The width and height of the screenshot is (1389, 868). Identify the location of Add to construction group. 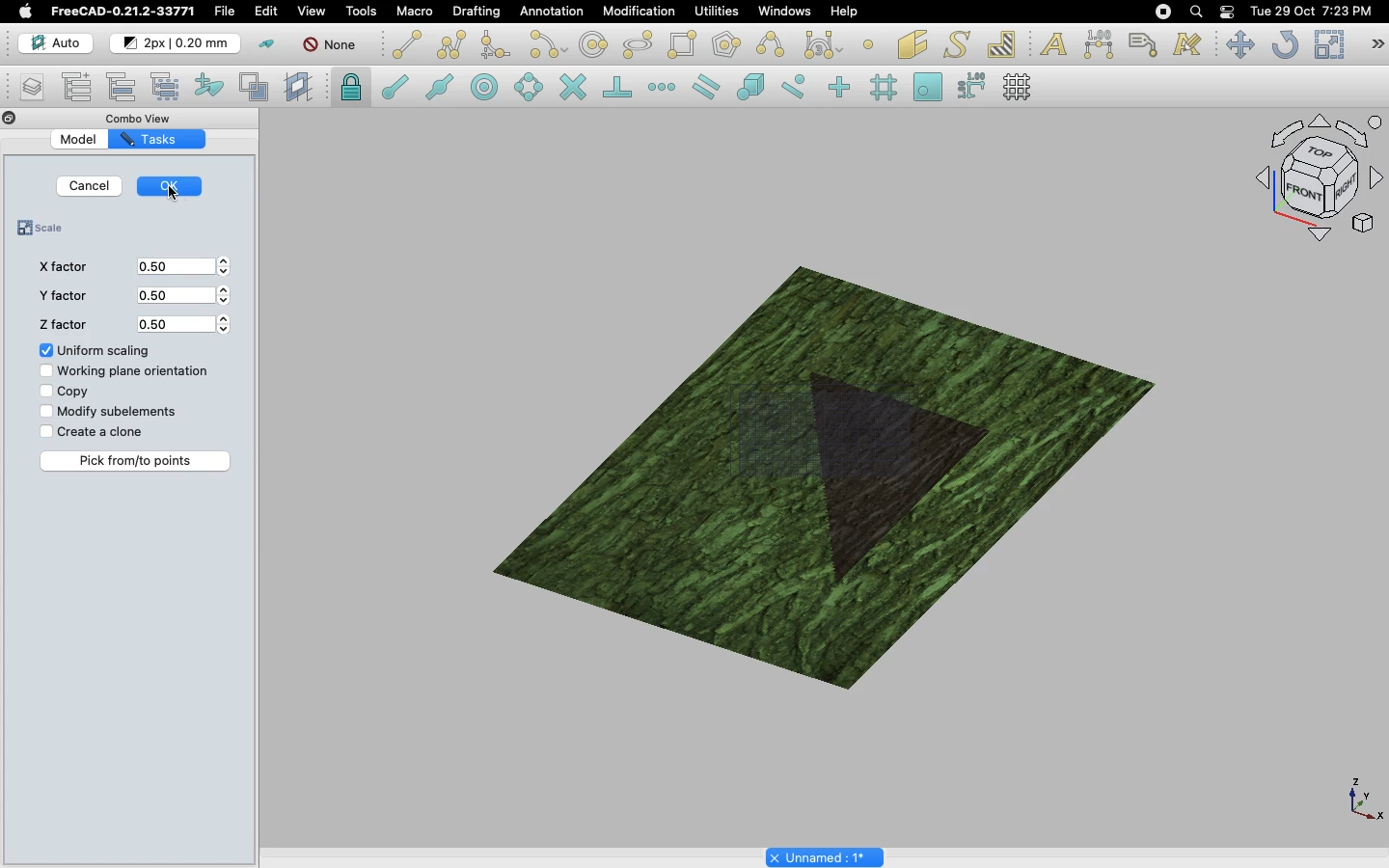
(210, 89).